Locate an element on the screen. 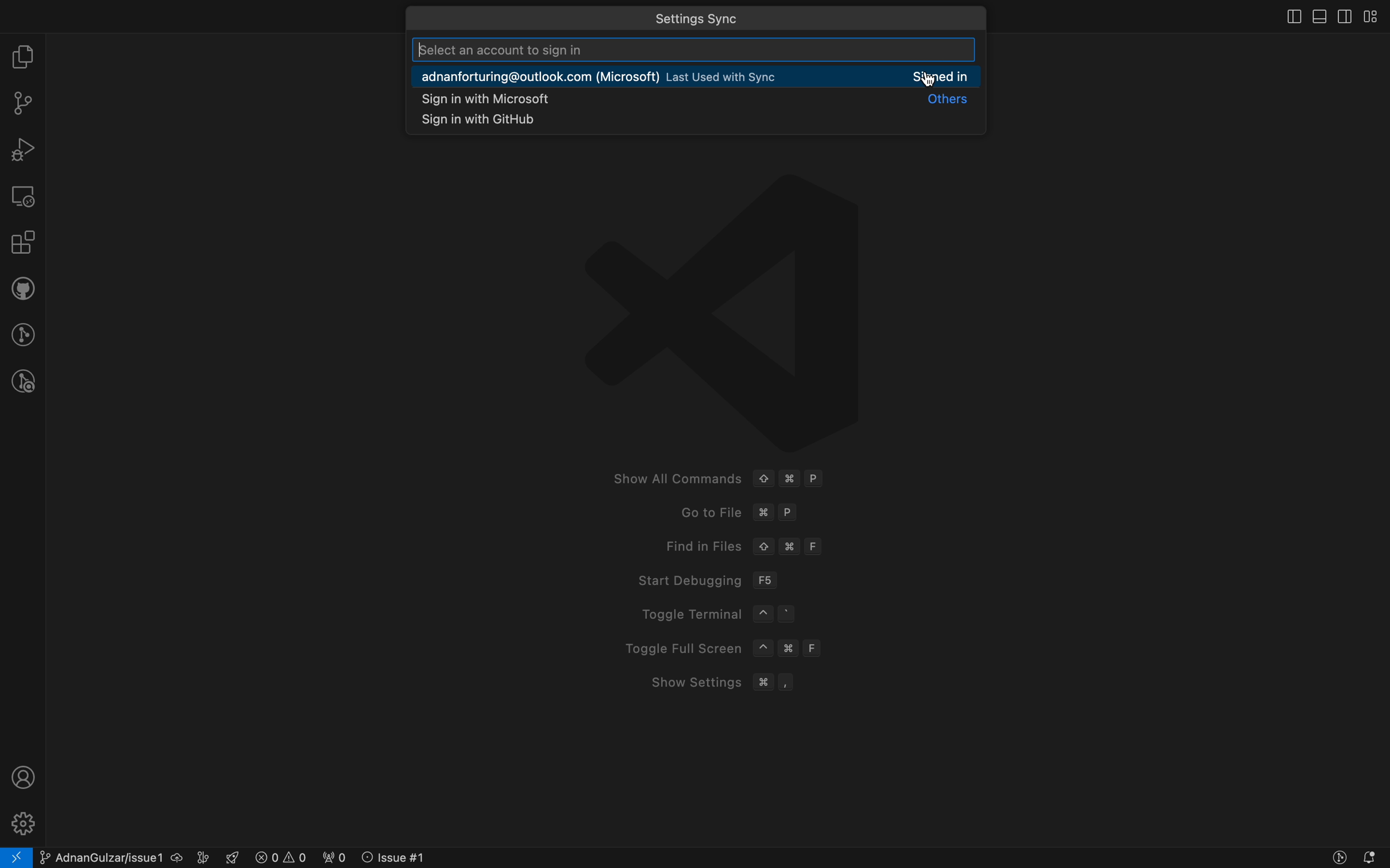  git is located at coordinates (22, 102).